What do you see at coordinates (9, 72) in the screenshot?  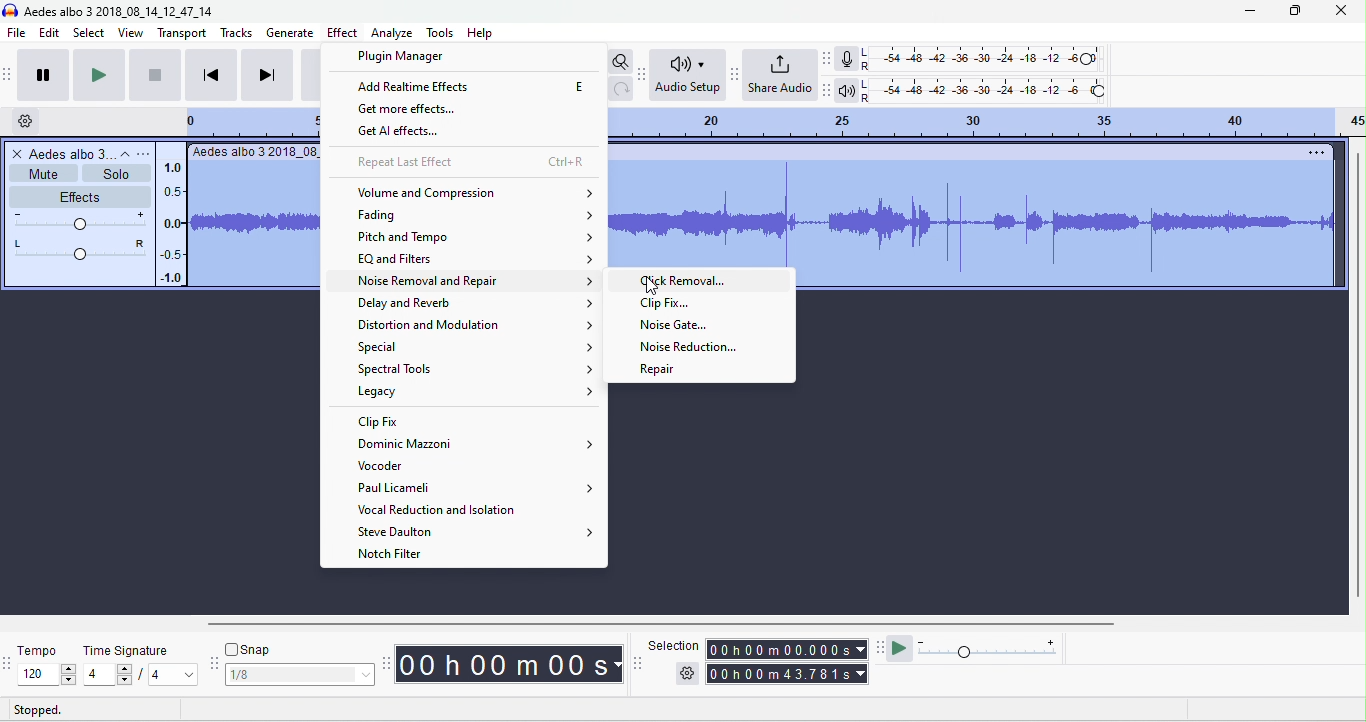 I see `audacity transport toolbar` at bounding box center [9, 72].